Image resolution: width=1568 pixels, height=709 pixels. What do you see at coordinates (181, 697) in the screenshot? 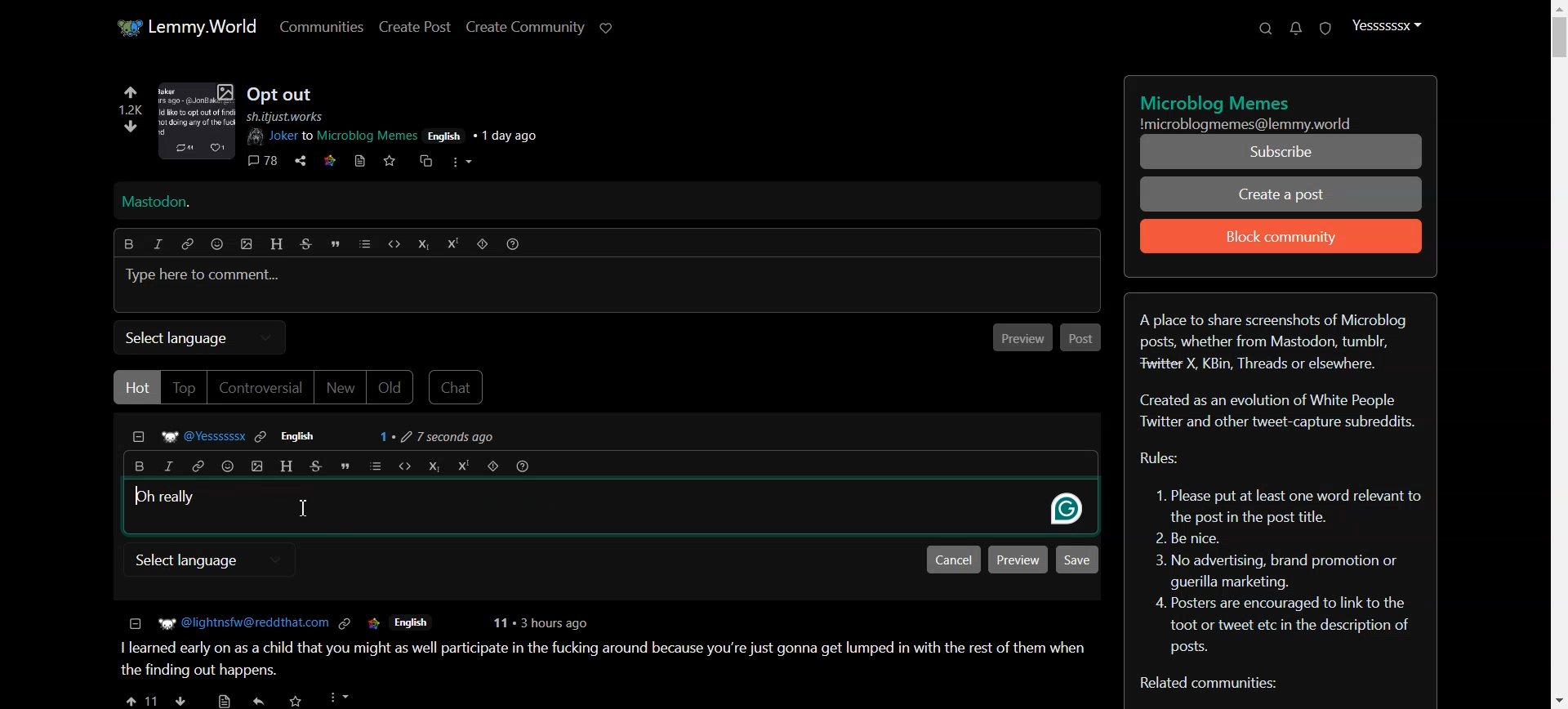
I see `downvote` at bounding box center [181, 697].